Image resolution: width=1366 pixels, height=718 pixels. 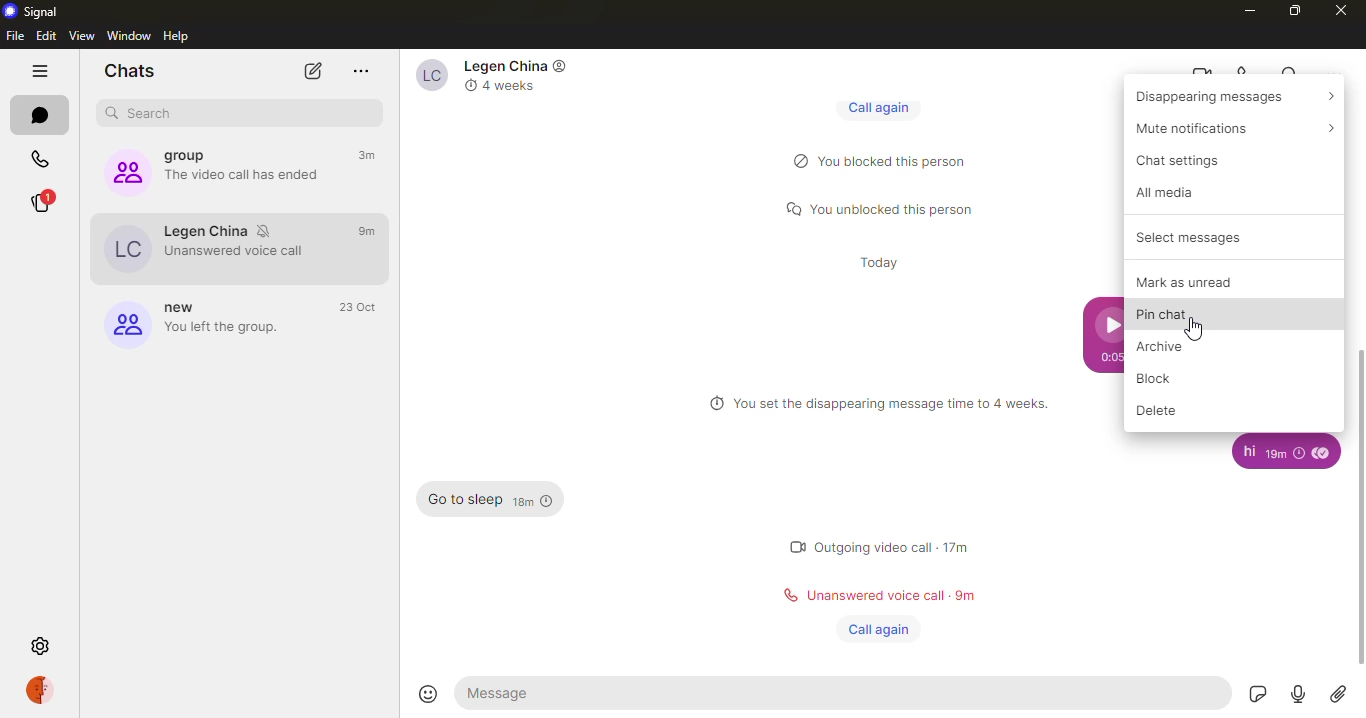 What do you see at coordinates (1190, 239) in the screenshot?
I see `select messages` at bounding box center [1190, 239].